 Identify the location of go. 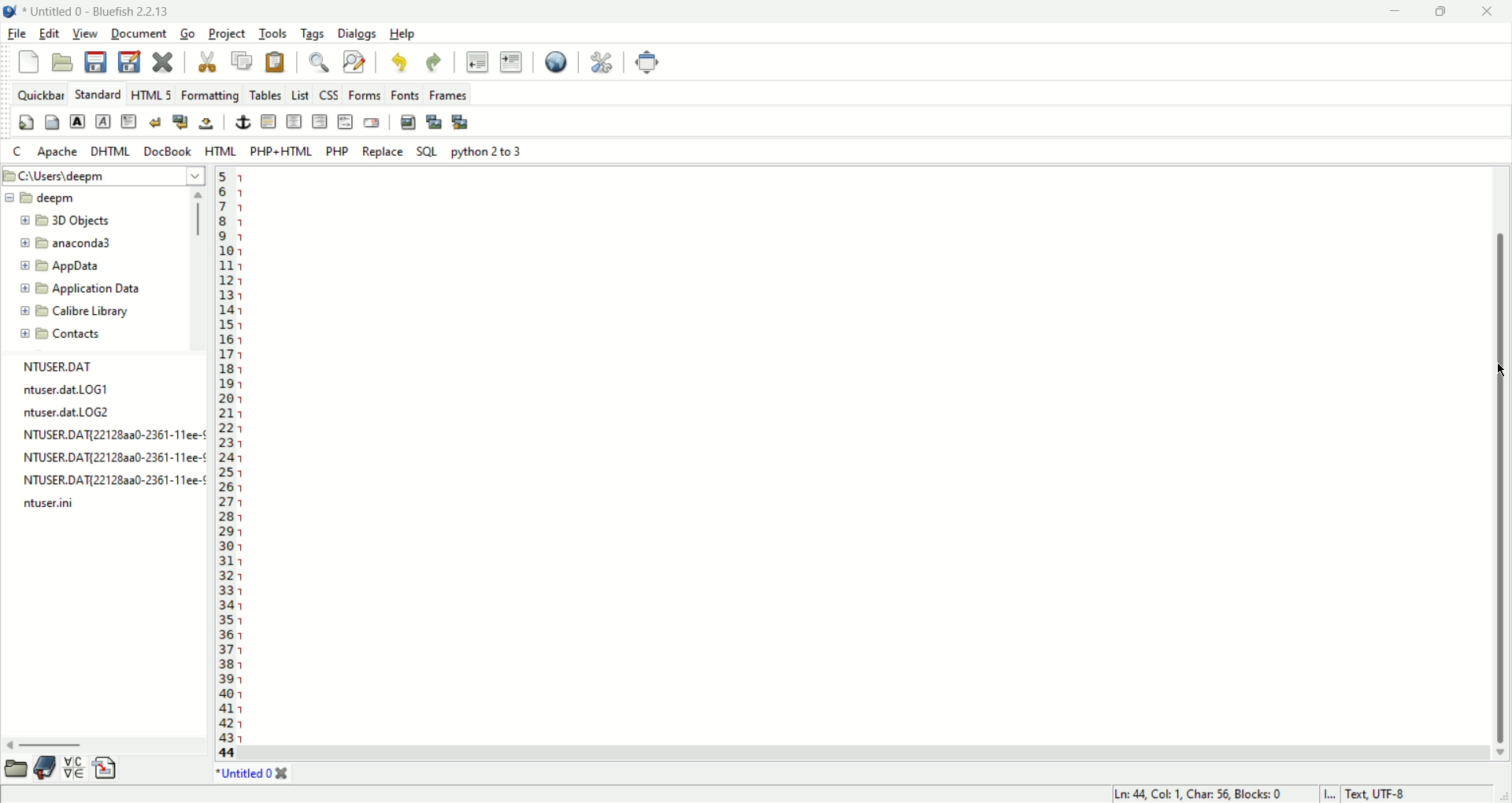
(187, 35).